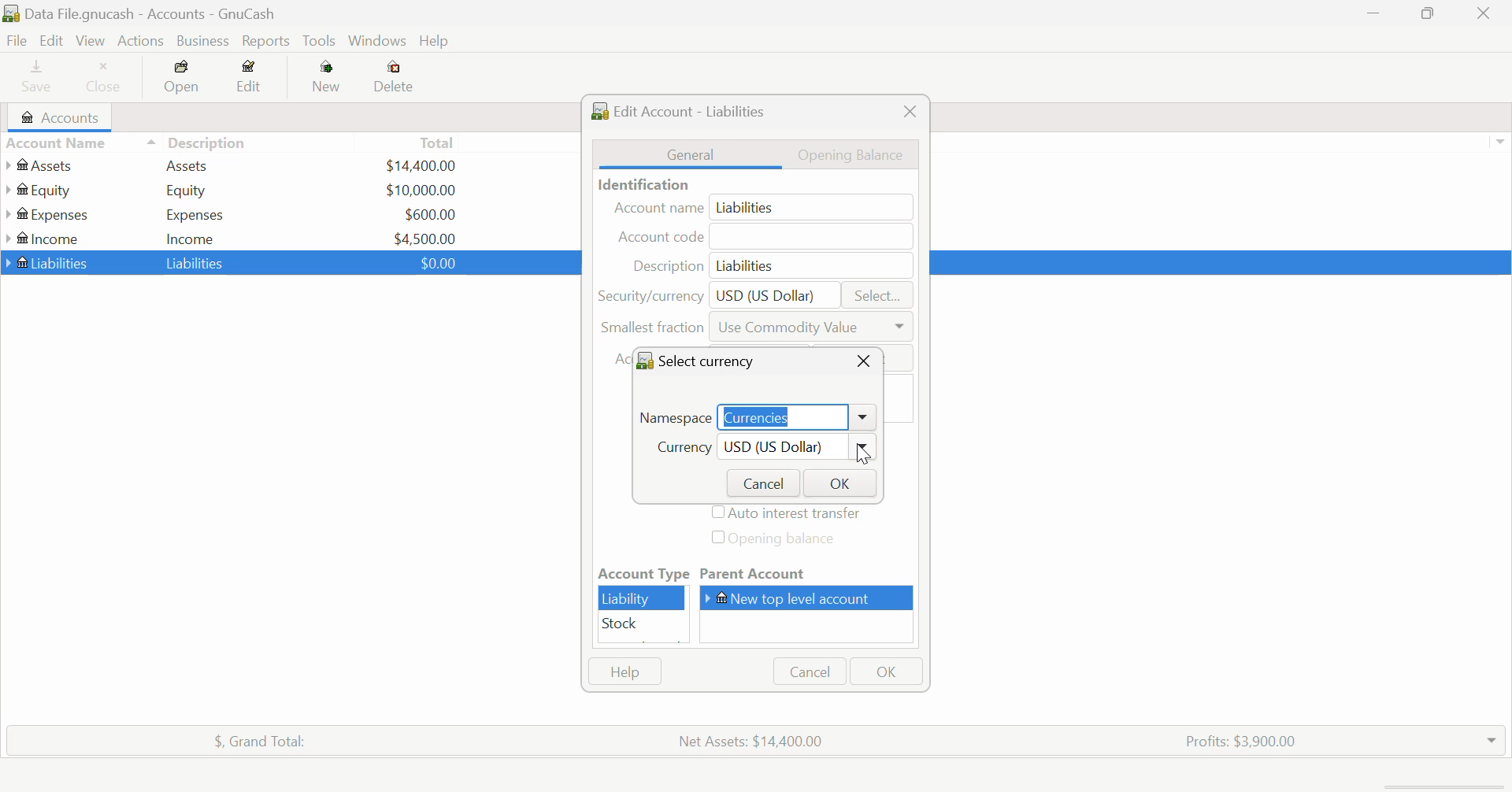 The width and height of the screenshot is (1512, 792). I want to click on Reports, so click(269, 41).